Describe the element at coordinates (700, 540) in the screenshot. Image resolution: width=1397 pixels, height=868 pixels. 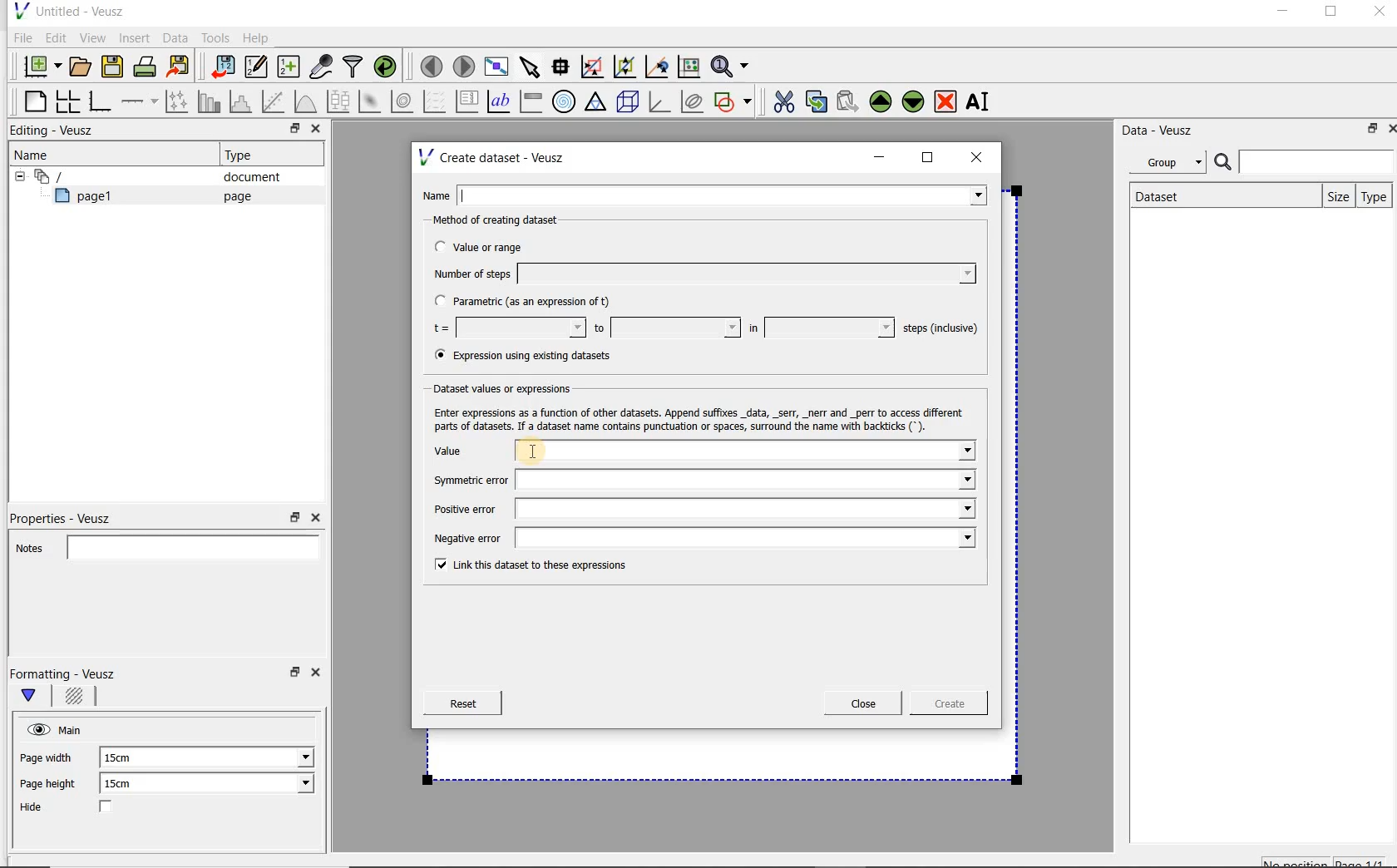
I see `Negative error ` at that location.